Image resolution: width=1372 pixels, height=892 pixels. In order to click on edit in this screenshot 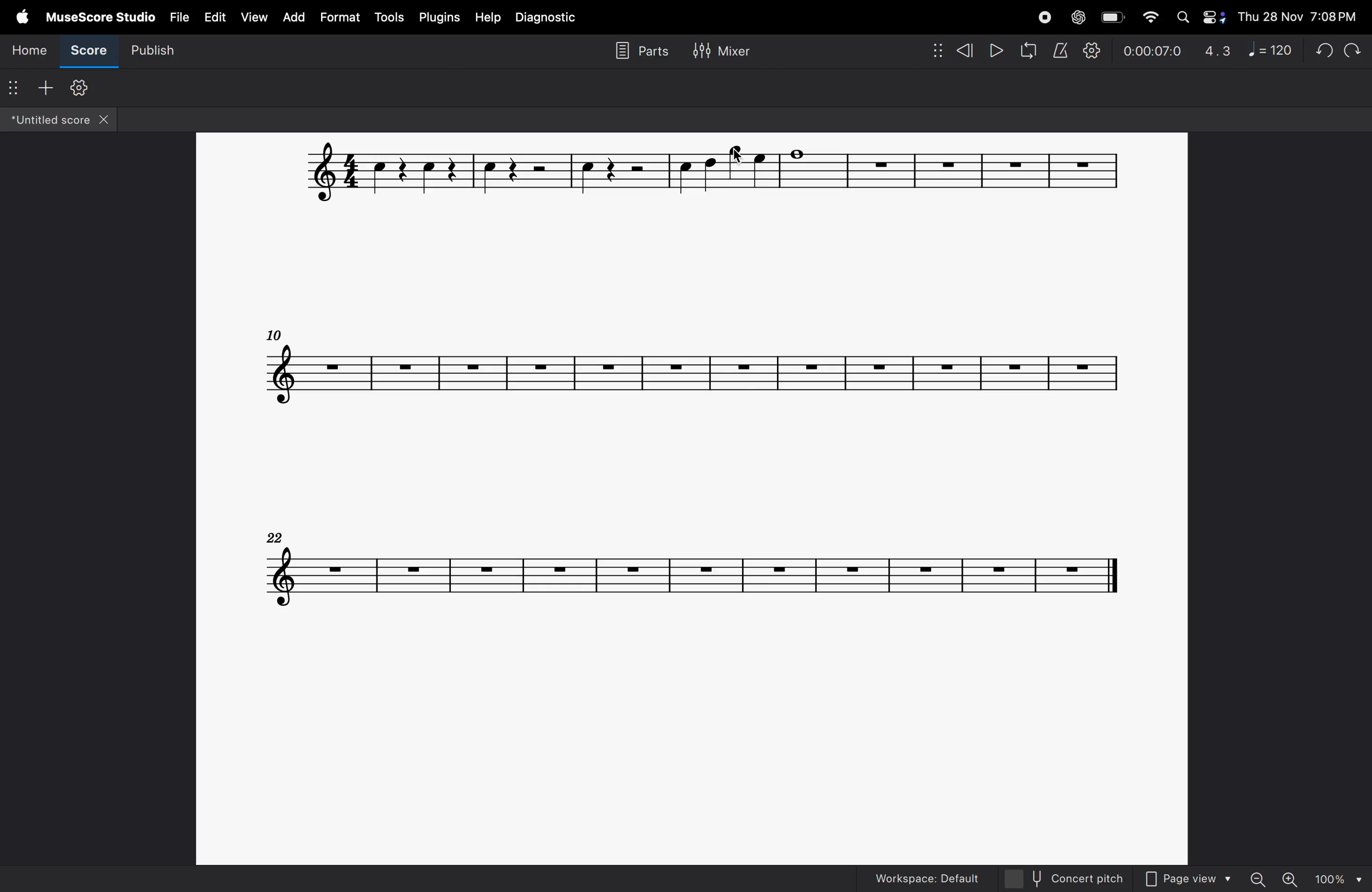, I will do `click(213, 18)`.